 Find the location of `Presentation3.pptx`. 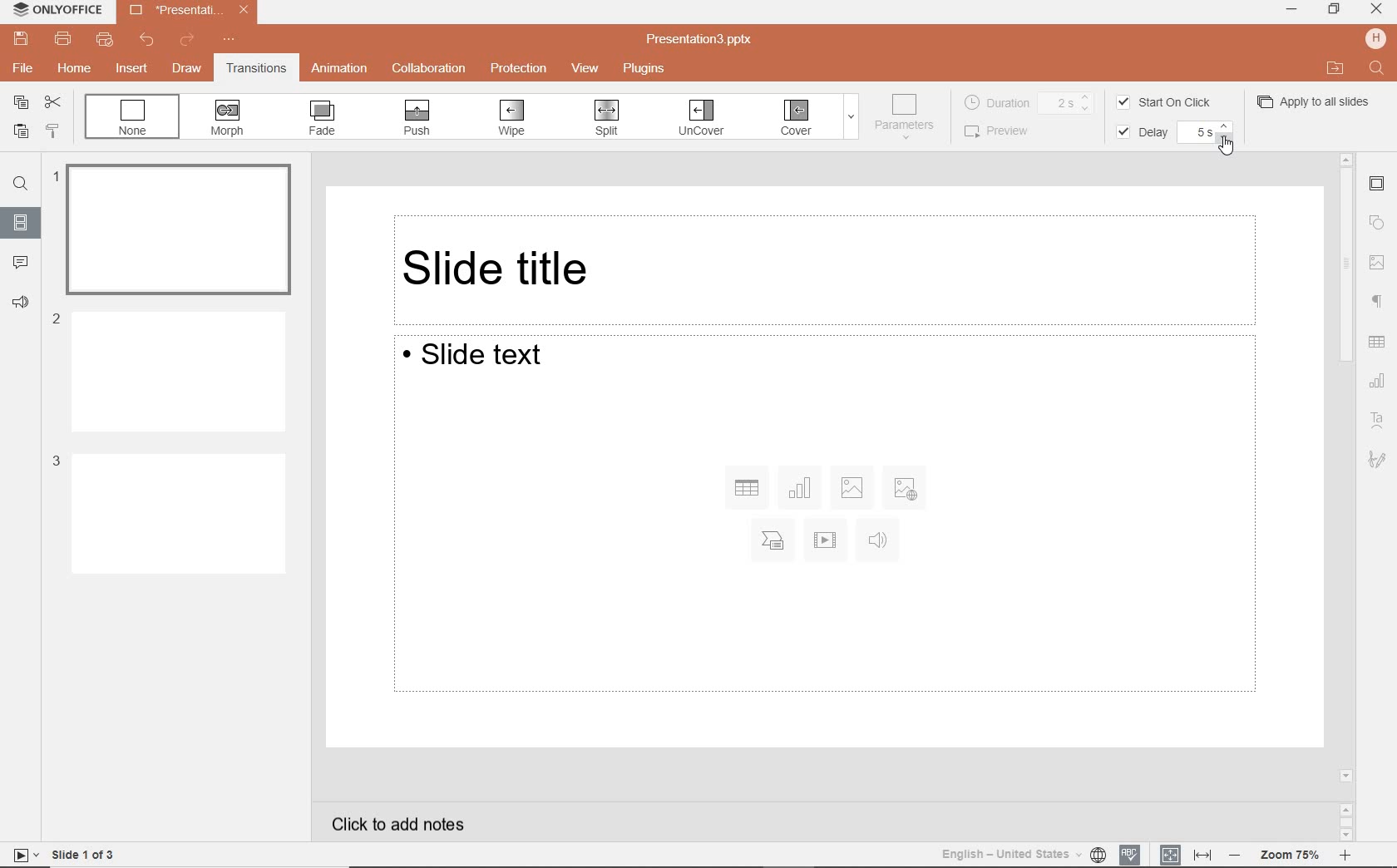

Presentation3.pptx is located at coordinates (186, 9).